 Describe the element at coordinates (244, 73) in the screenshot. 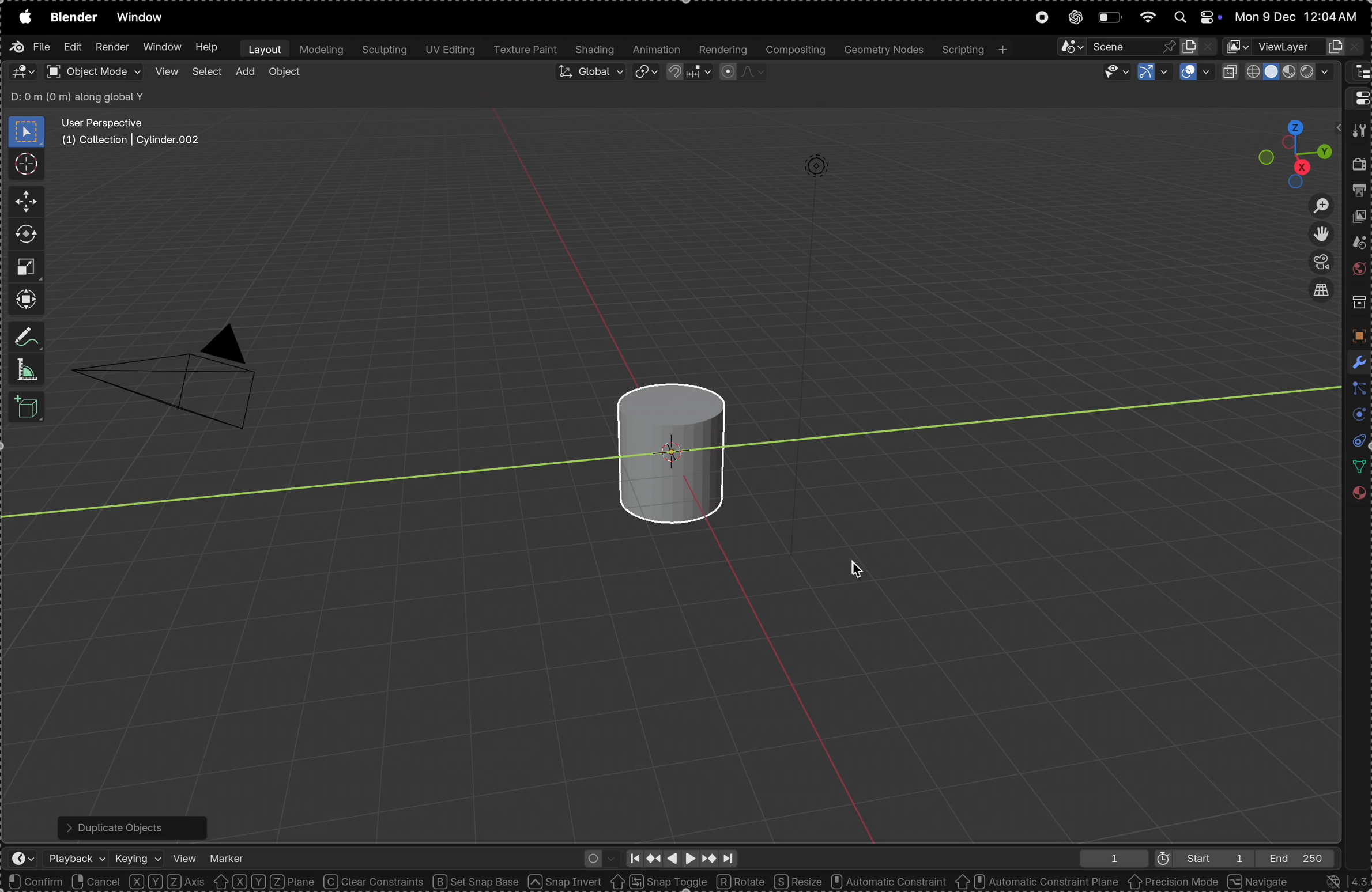

I see `add` at that location.